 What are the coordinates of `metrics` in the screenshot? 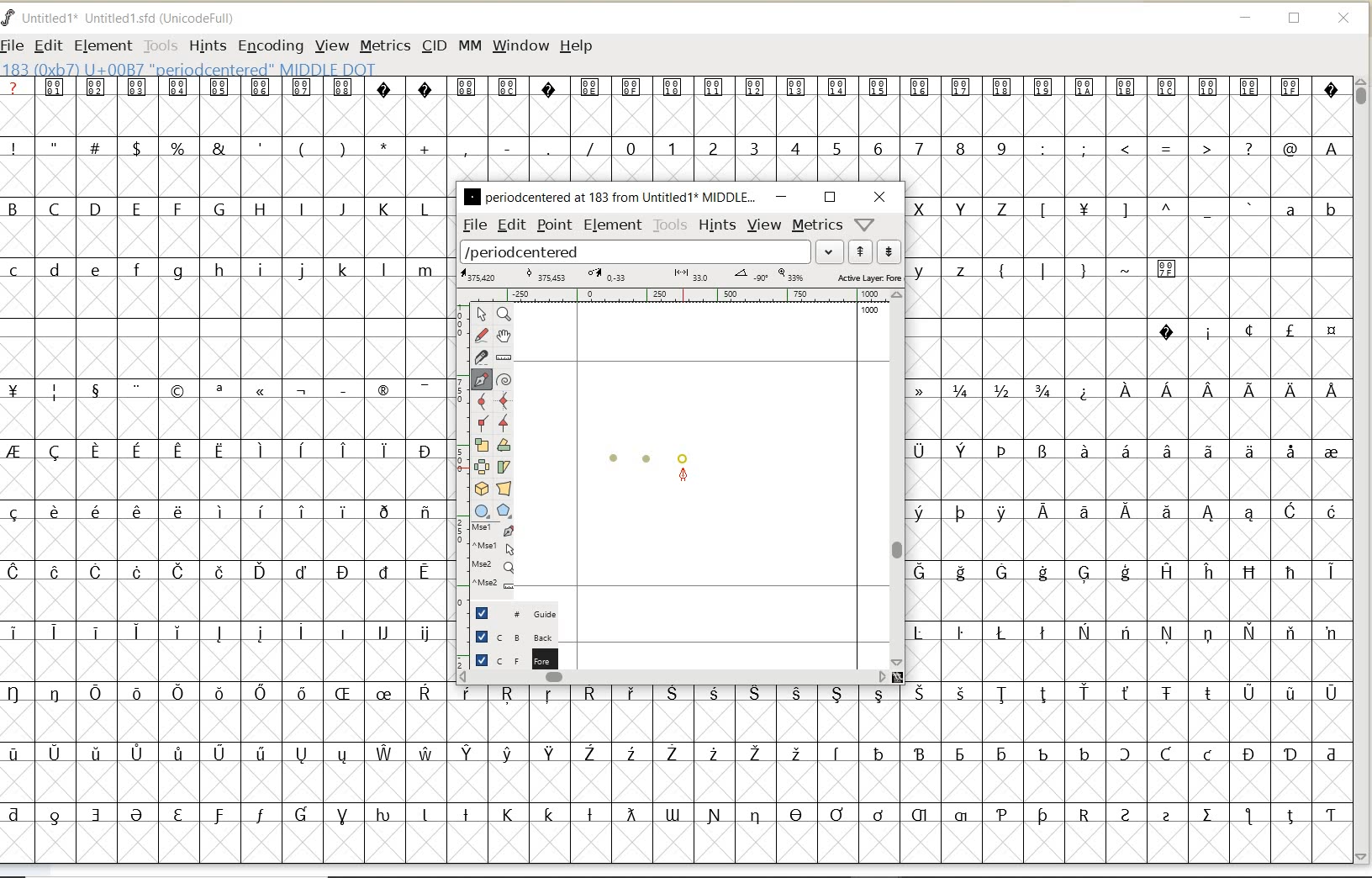 It's located at (818, 225).